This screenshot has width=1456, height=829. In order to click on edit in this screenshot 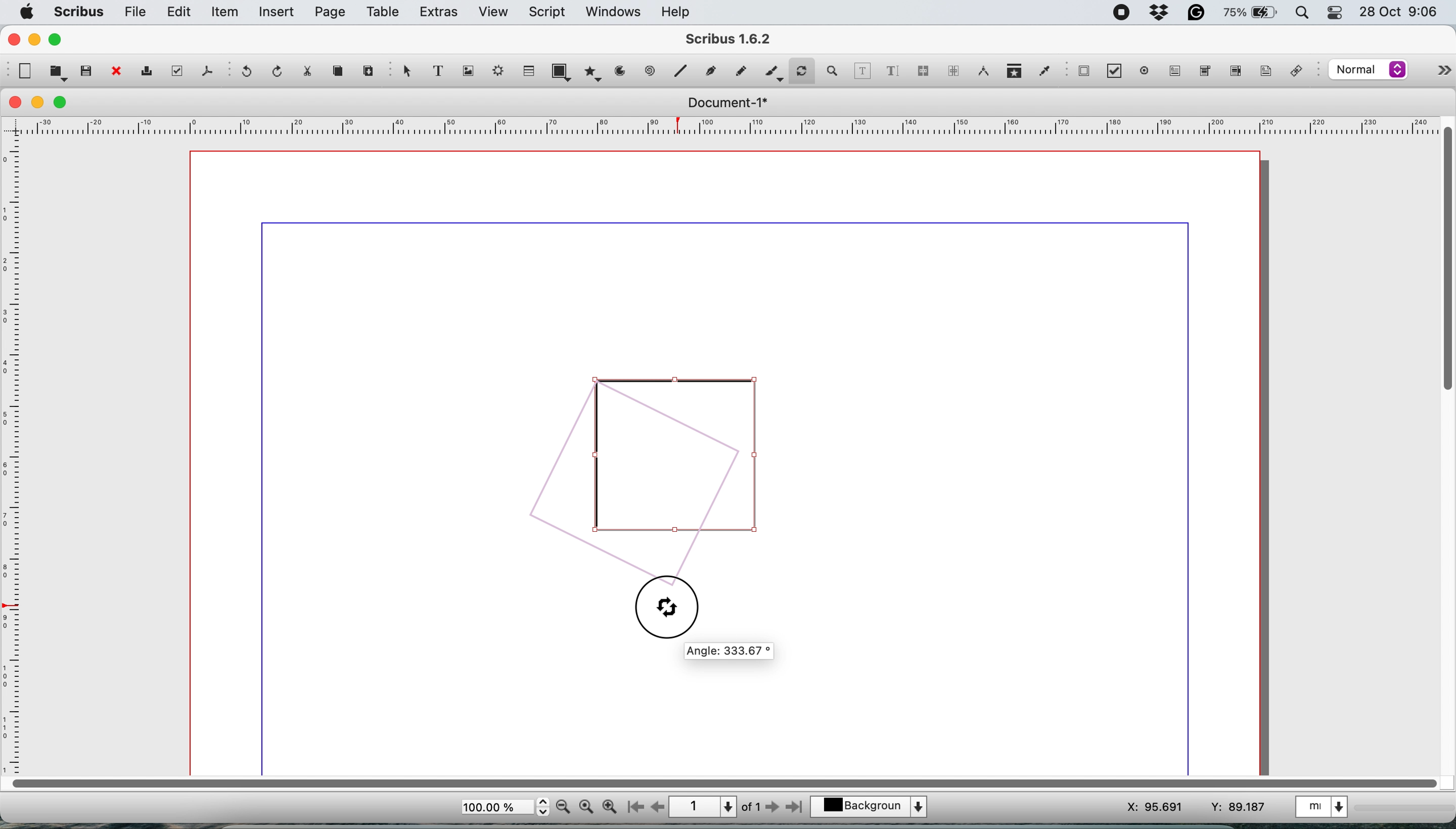, I will do `click(181, 13)`.